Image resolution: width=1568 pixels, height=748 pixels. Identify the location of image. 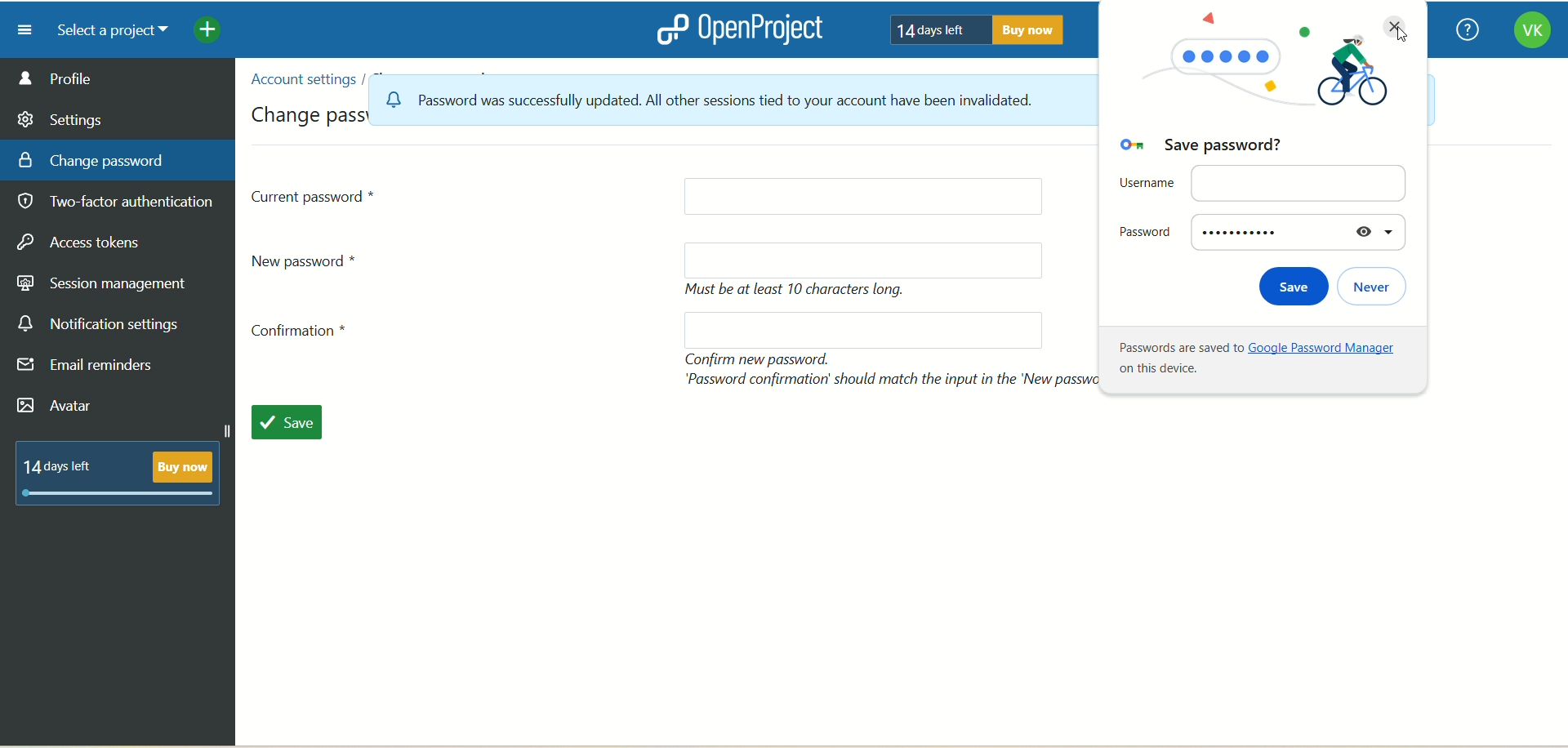
(1257, 81).